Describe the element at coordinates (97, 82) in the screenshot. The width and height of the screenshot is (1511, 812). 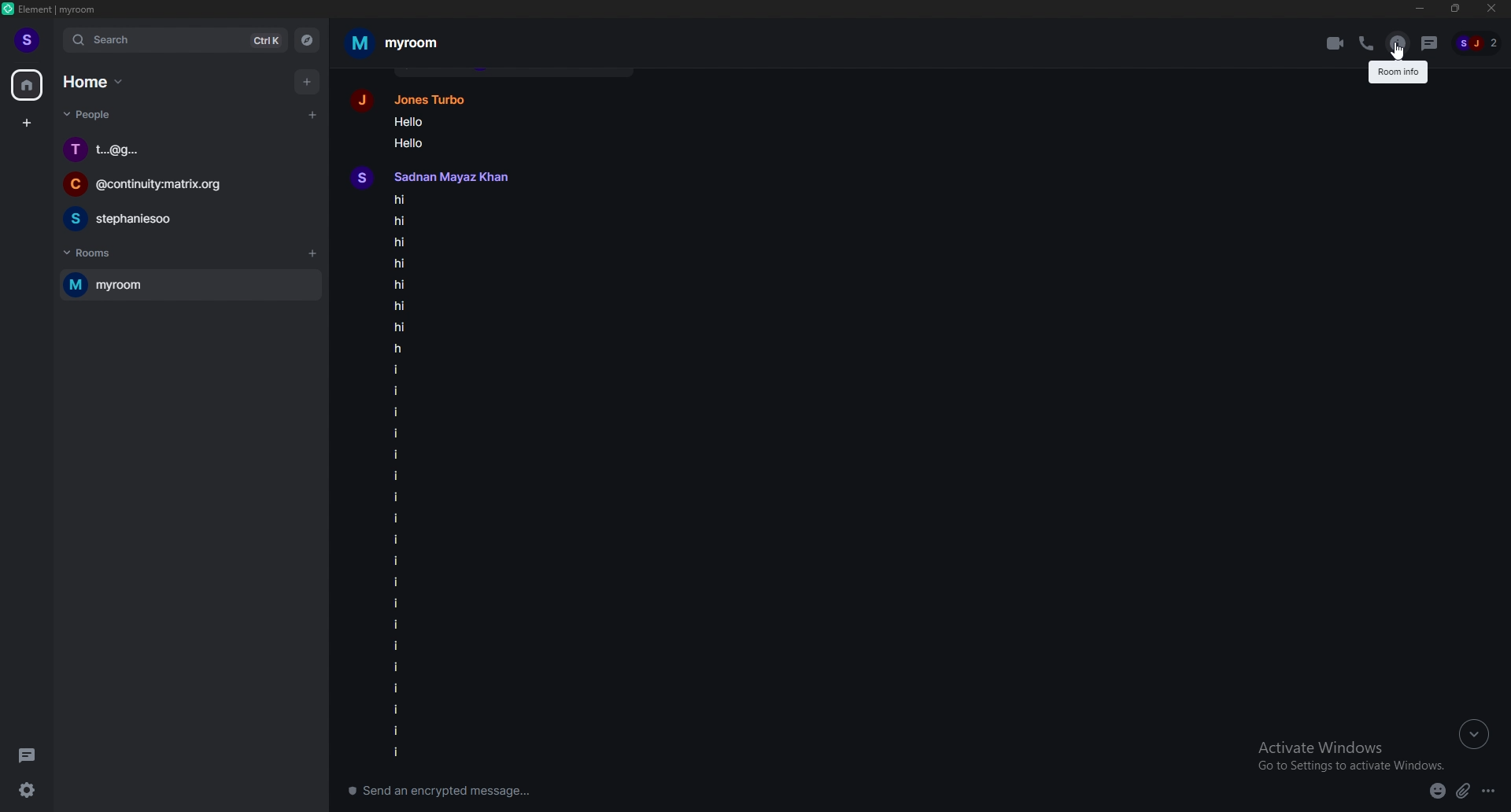
I see `home` at that location.